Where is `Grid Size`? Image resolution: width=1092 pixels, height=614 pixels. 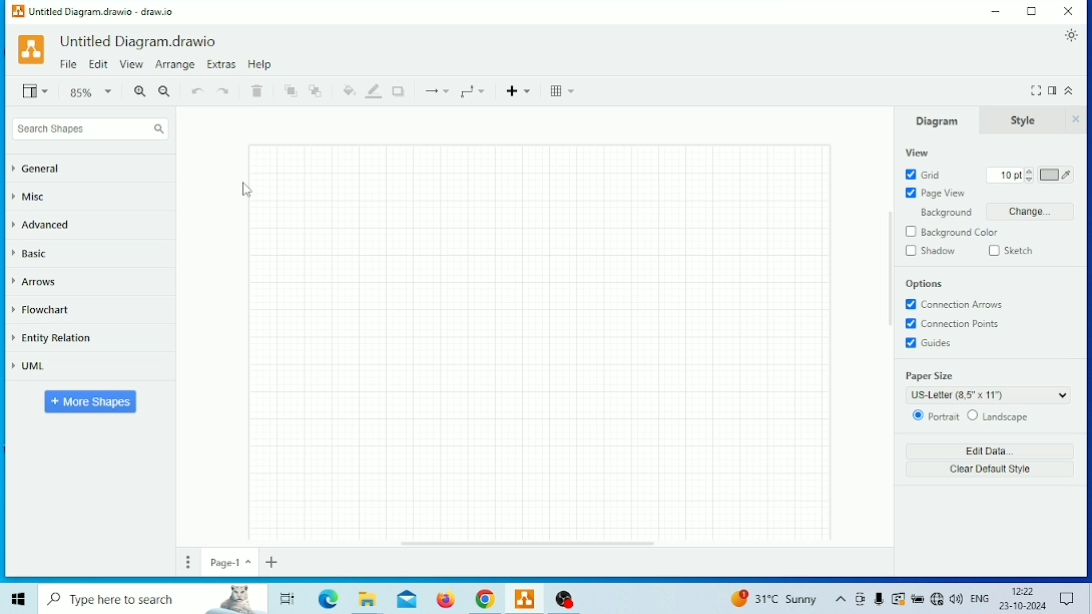
Grid Size is located at coordinates (1009, 175).